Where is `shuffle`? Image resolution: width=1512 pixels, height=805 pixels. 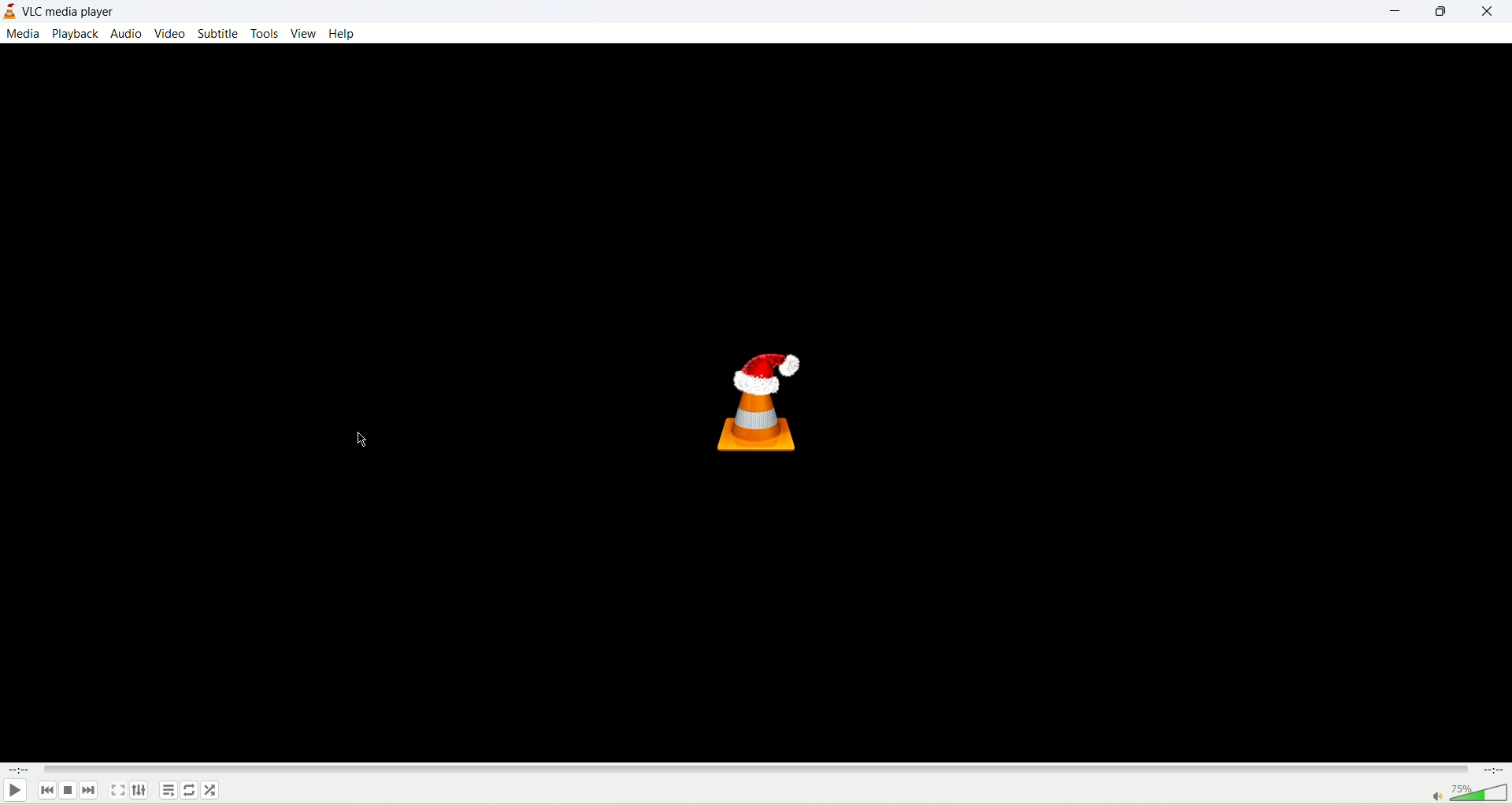 shuffle is located at coordinates (212, 790).